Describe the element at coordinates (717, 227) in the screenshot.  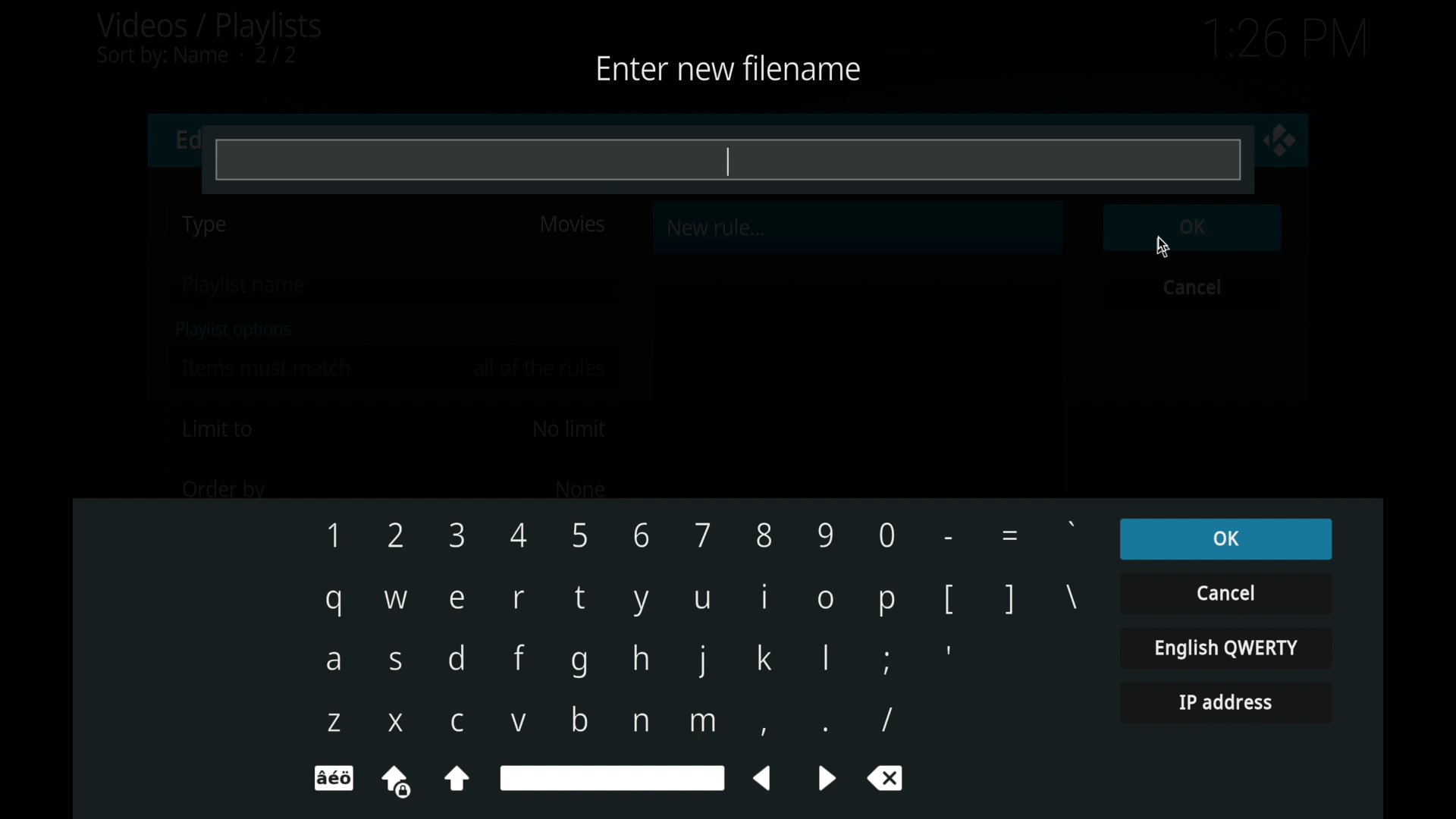
I see `new rule` at that location.